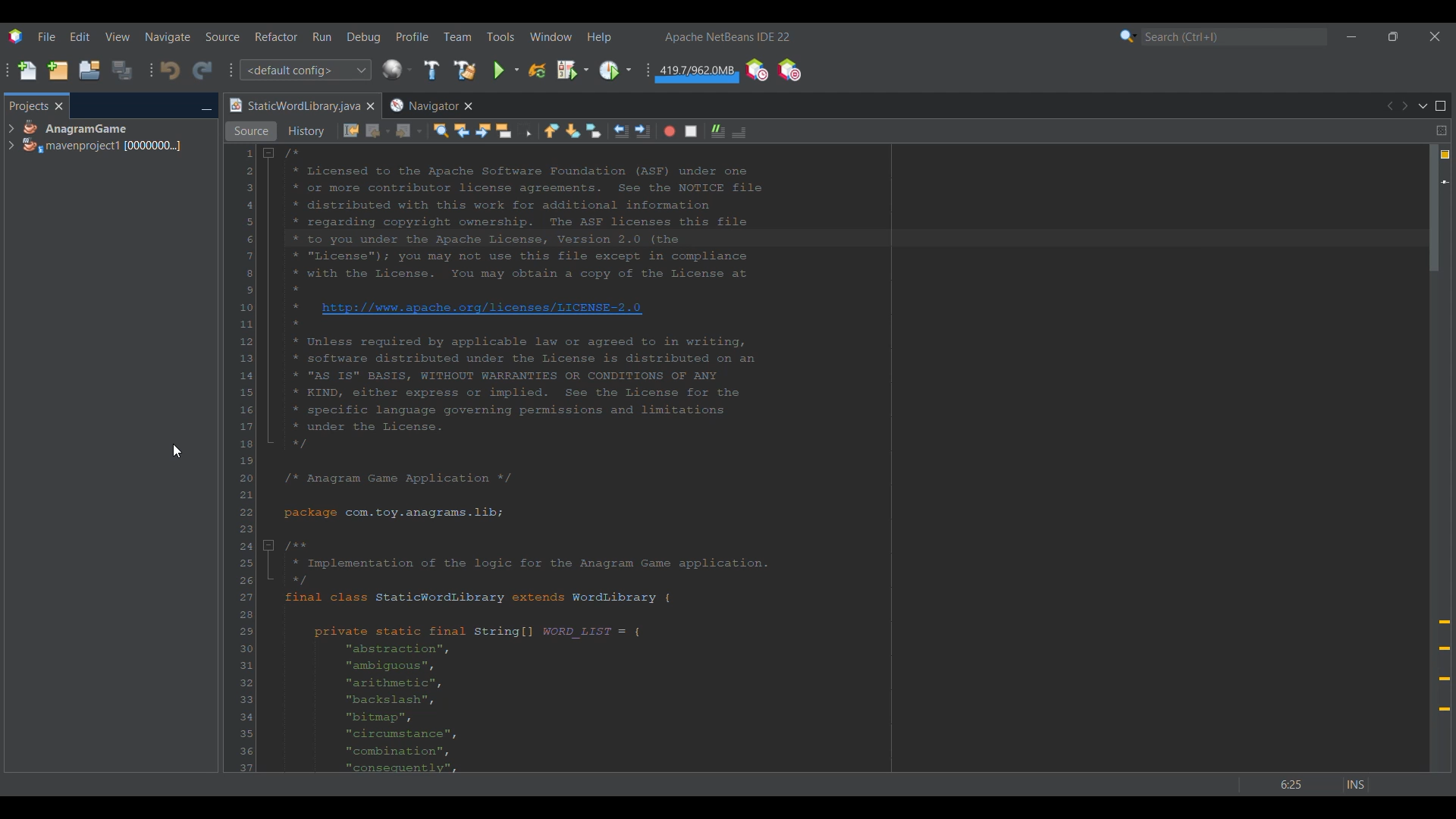  Describe the element at coordinates (697, 71) in the screenshot. I see `Garbage collection amount` at that location.